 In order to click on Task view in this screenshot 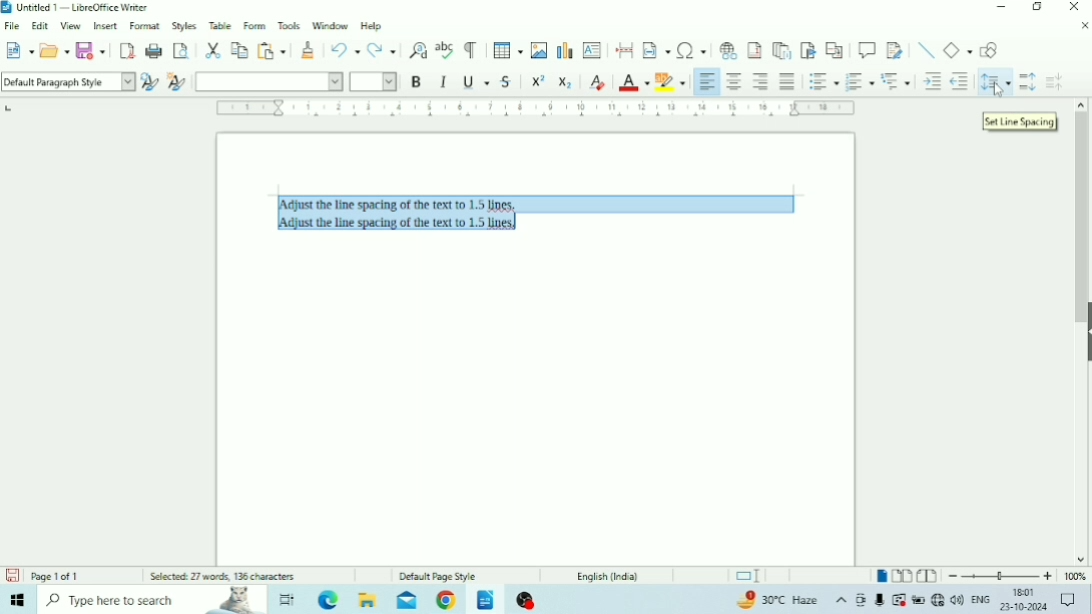, I will do `click(287, 599)`.